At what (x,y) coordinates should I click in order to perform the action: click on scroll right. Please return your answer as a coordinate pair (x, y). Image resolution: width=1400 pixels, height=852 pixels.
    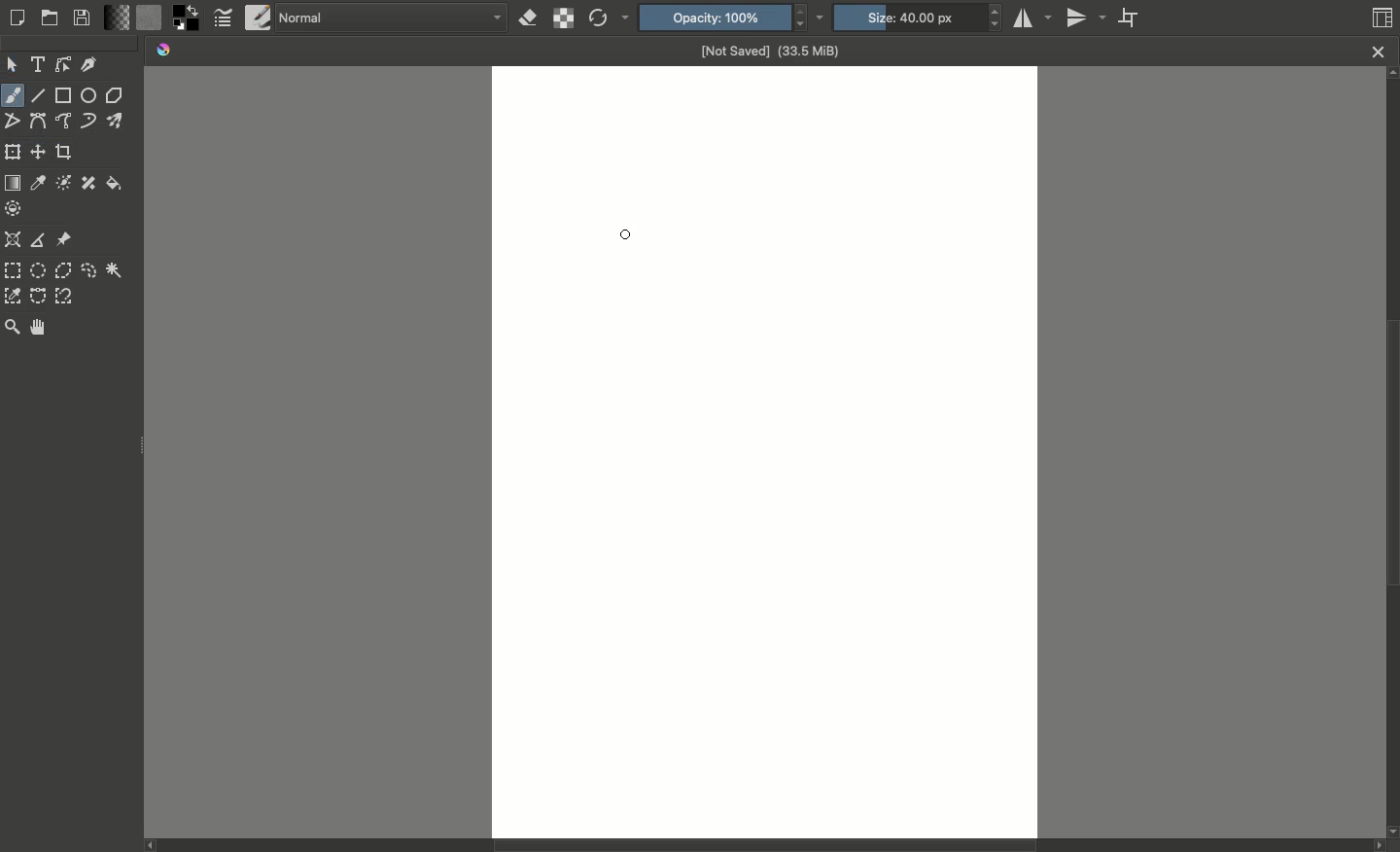
    Looking at the image, I should click on (1375, 846).